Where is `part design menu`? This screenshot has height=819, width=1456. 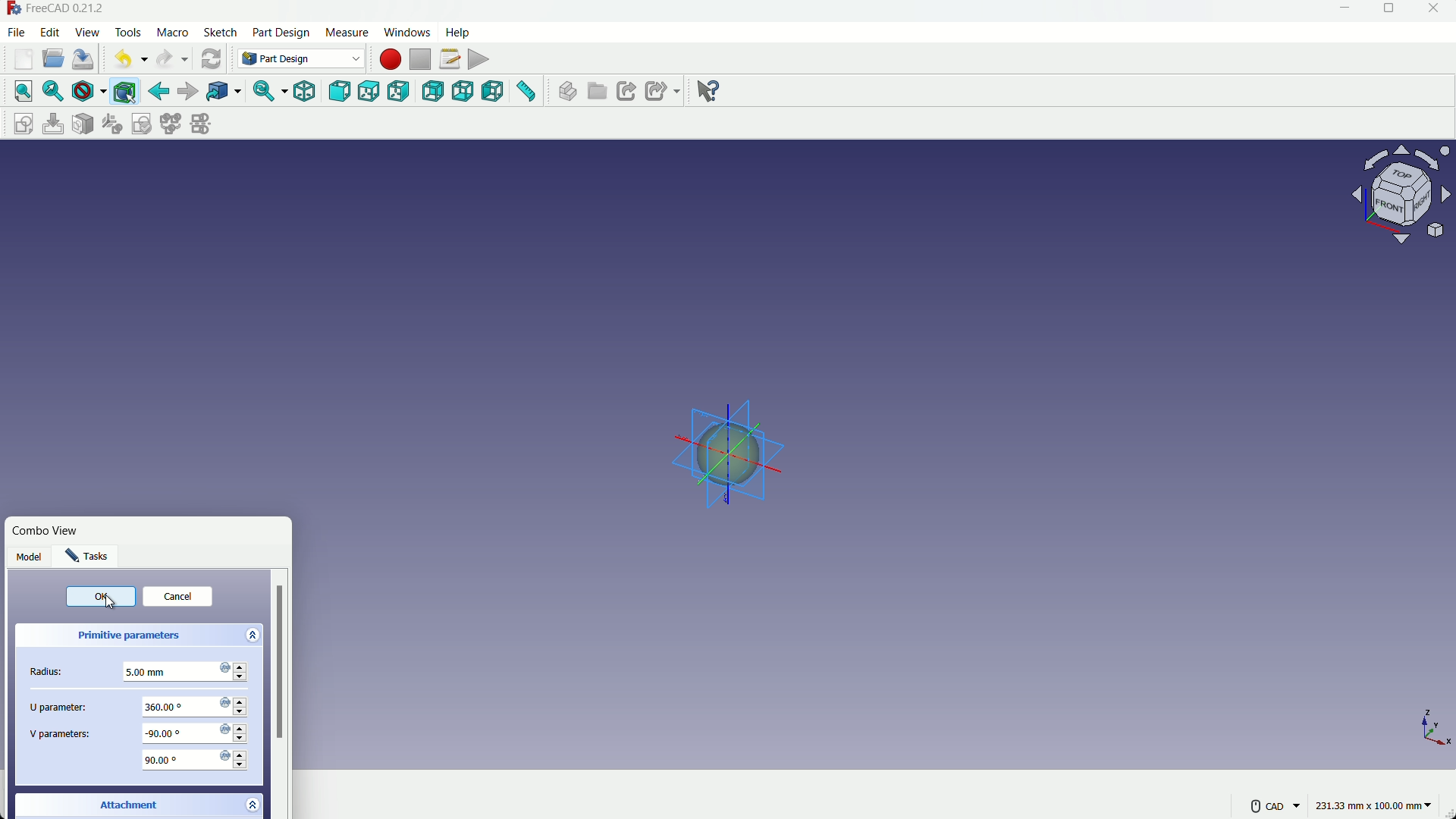 part design menu is located at coordinates (282, 34).